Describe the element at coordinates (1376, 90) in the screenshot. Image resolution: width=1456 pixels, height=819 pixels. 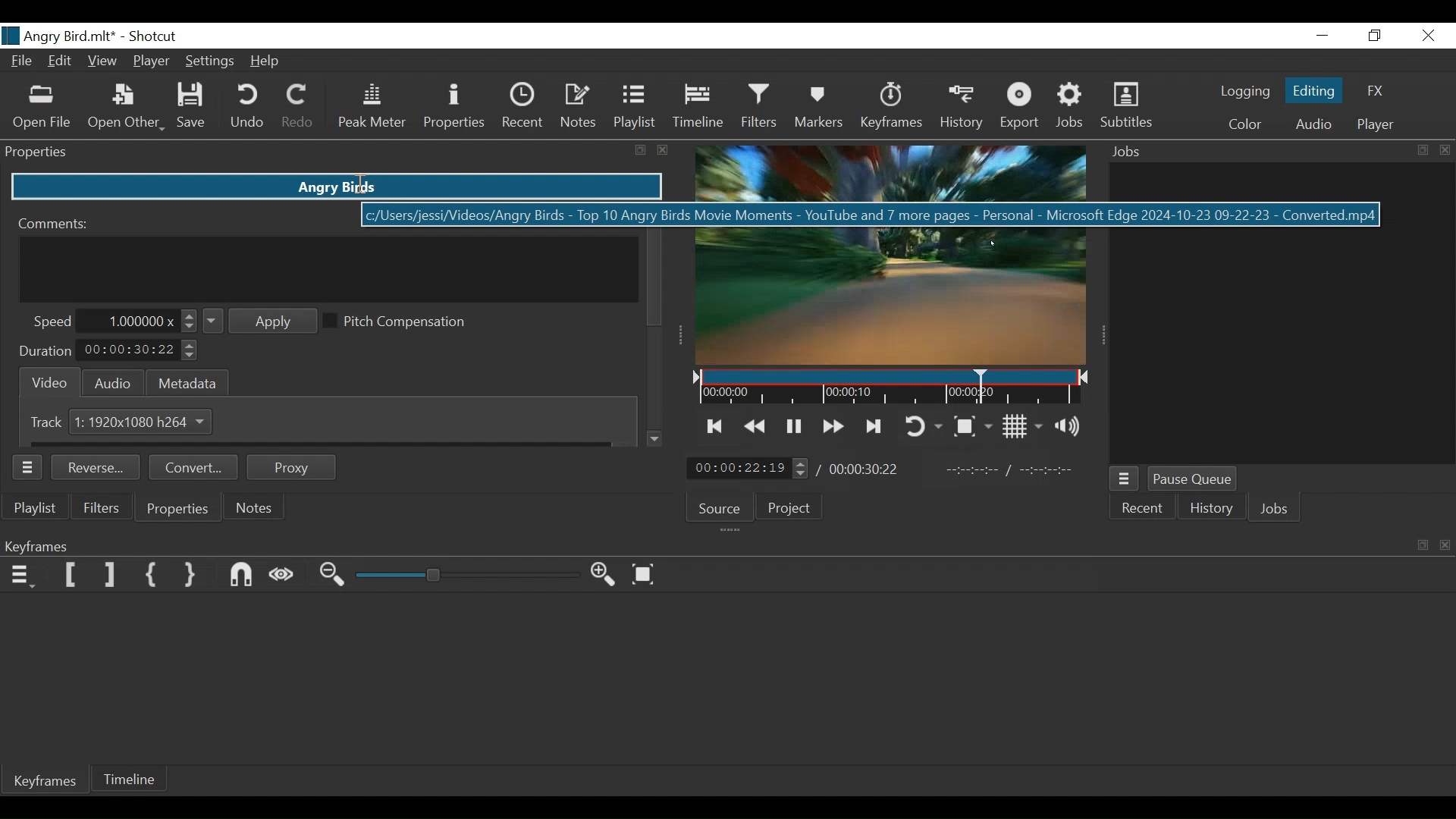
I see `FX` at that location.